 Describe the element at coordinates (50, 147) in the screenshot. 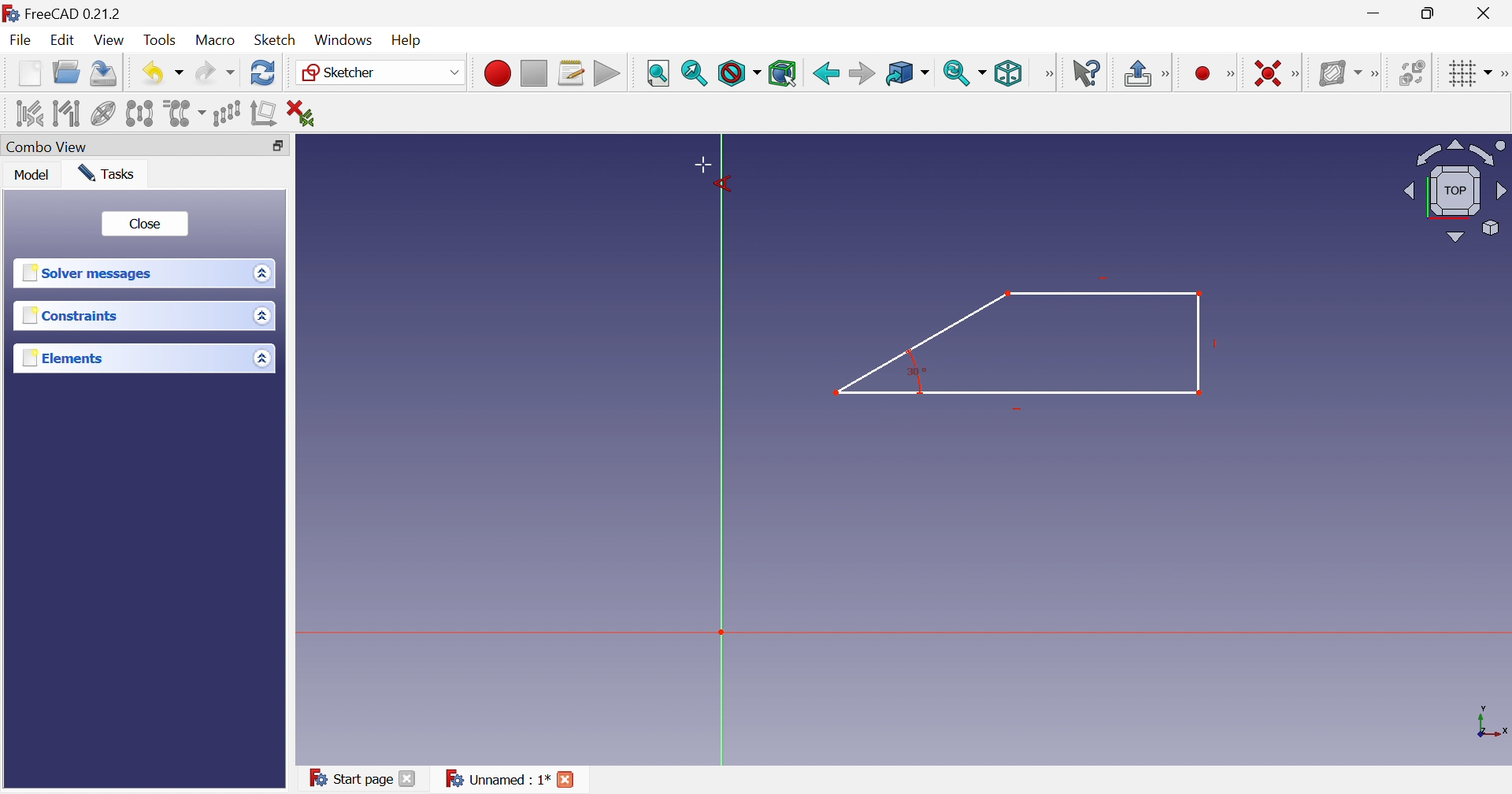

I see `Combo View` at that location.